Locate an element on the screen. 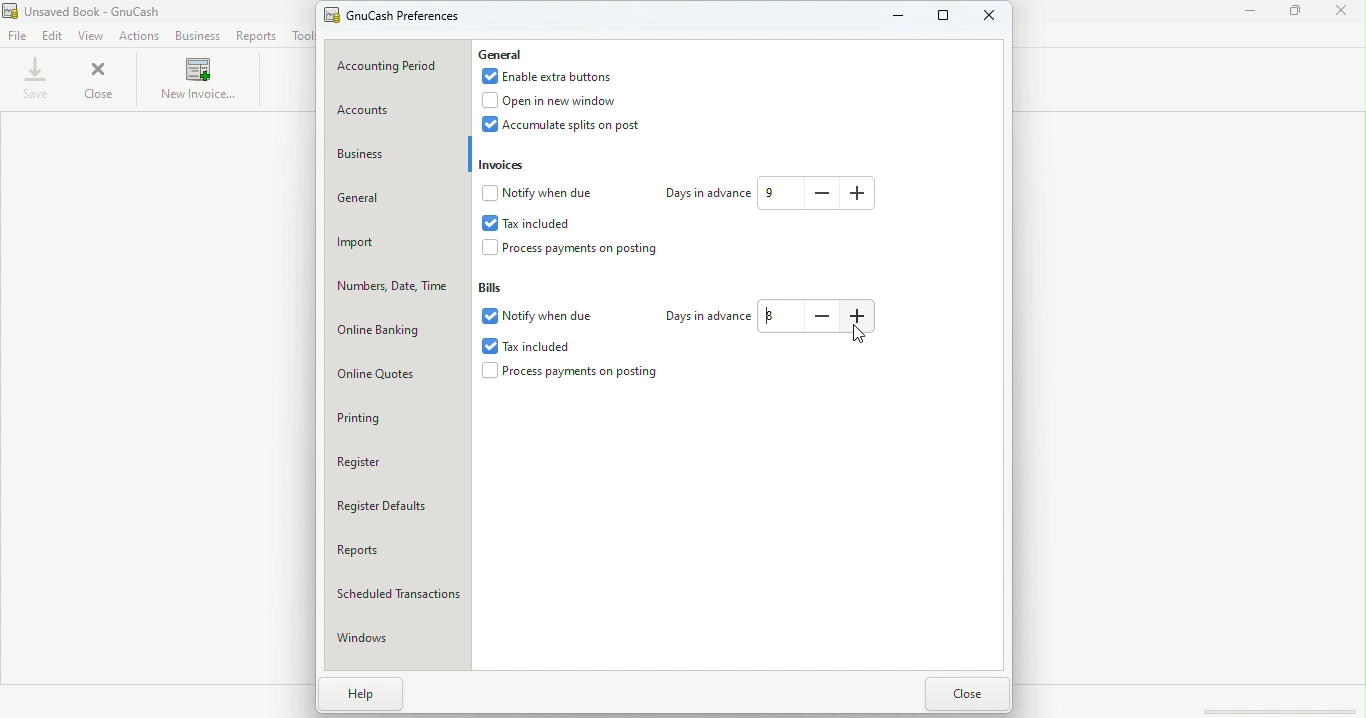 The height and width of the screenshot is (718, 1366). Close is located at coordinates (993, 22).